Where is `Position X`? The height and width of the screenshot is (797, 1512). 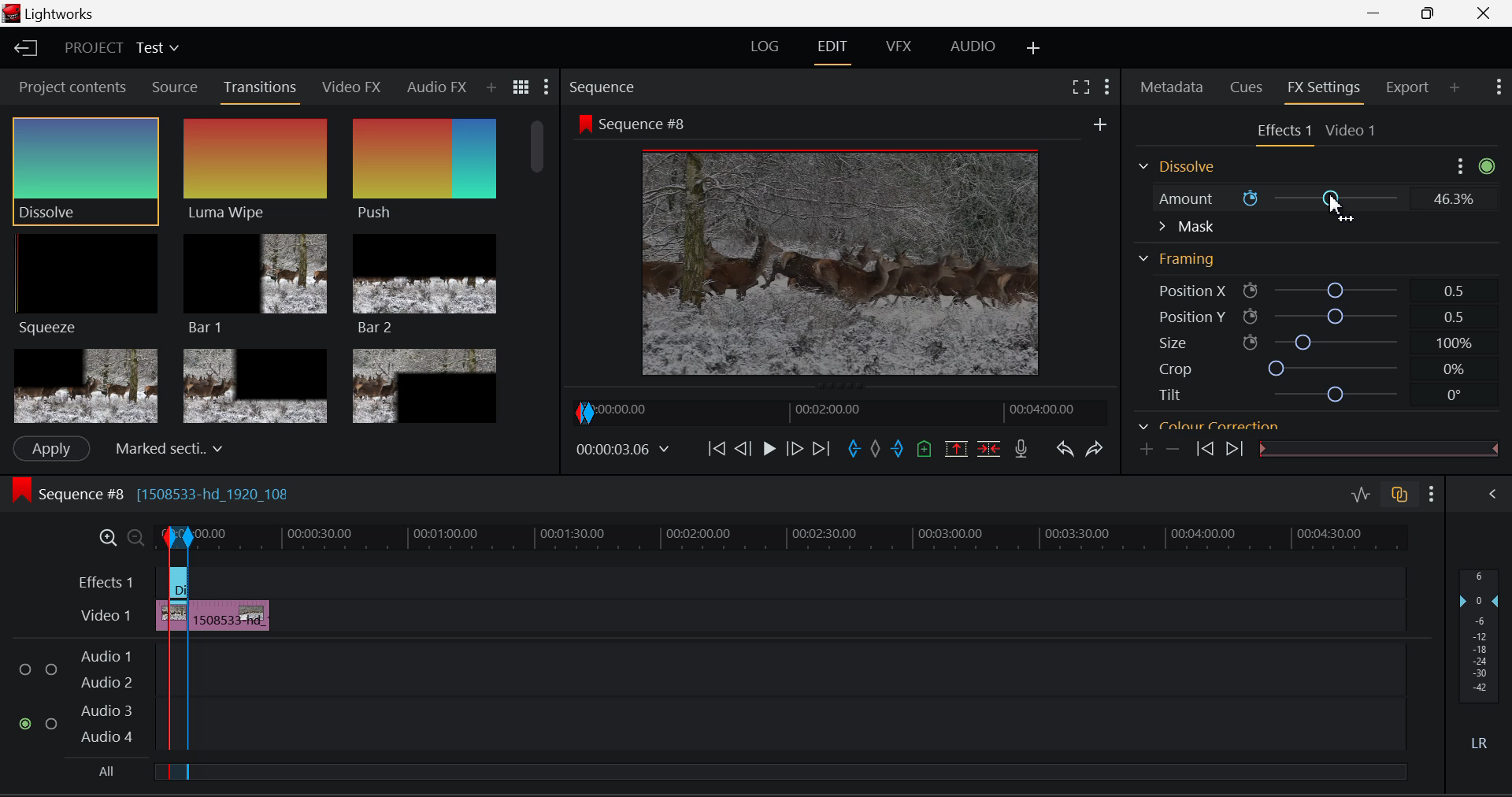 Position X is located at coordinates (1309, 288).